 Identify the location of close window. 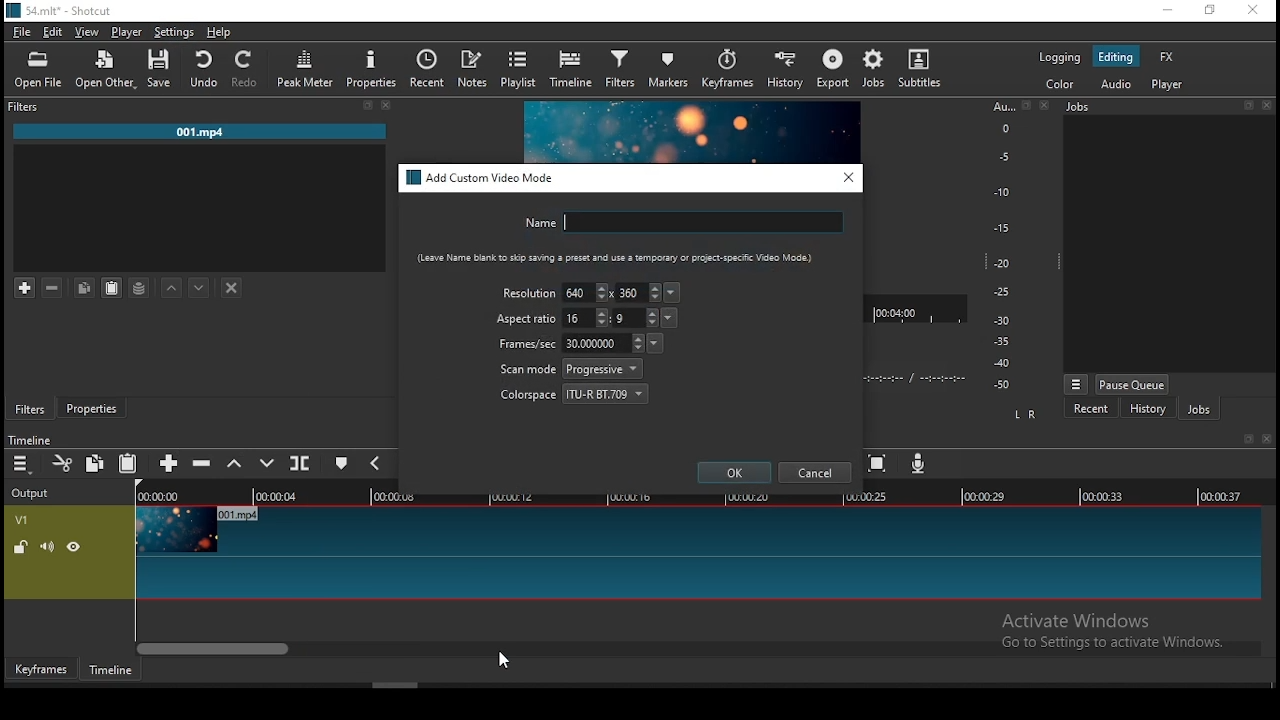
(849, 177).